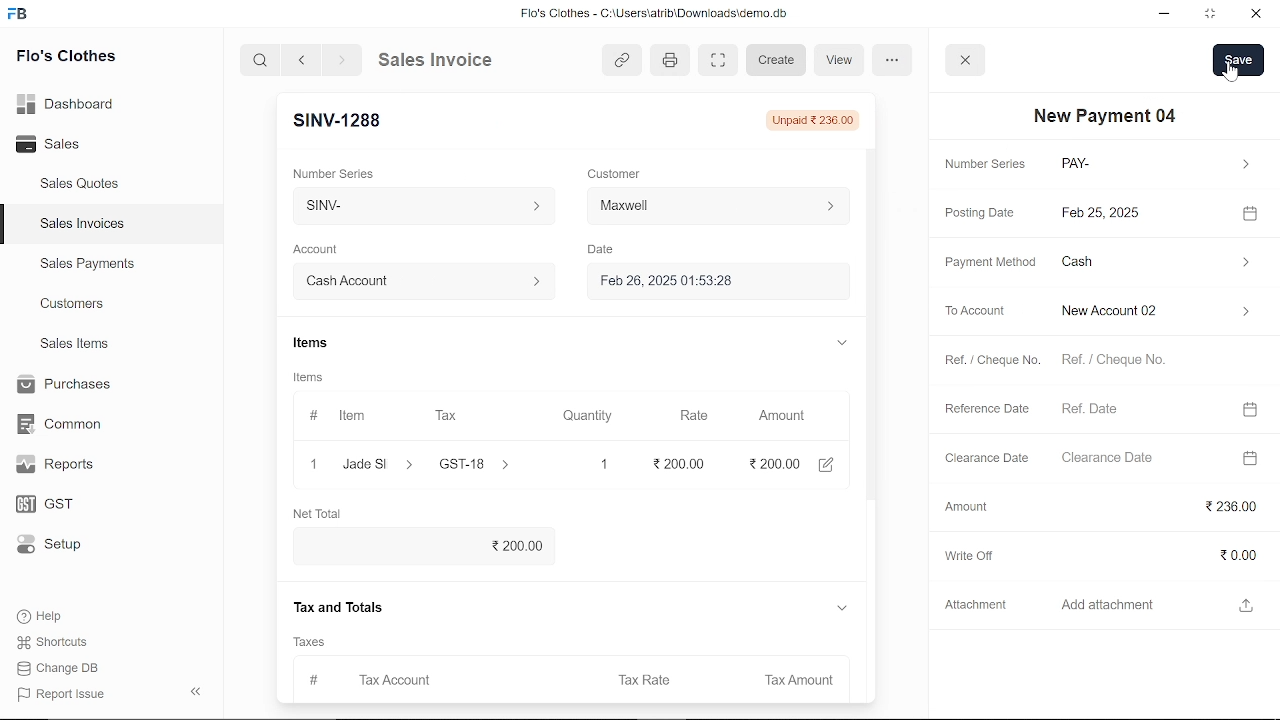 The width and height of the screenshot is (1280, 720). I want to click on open calender, so click(1251, 457).